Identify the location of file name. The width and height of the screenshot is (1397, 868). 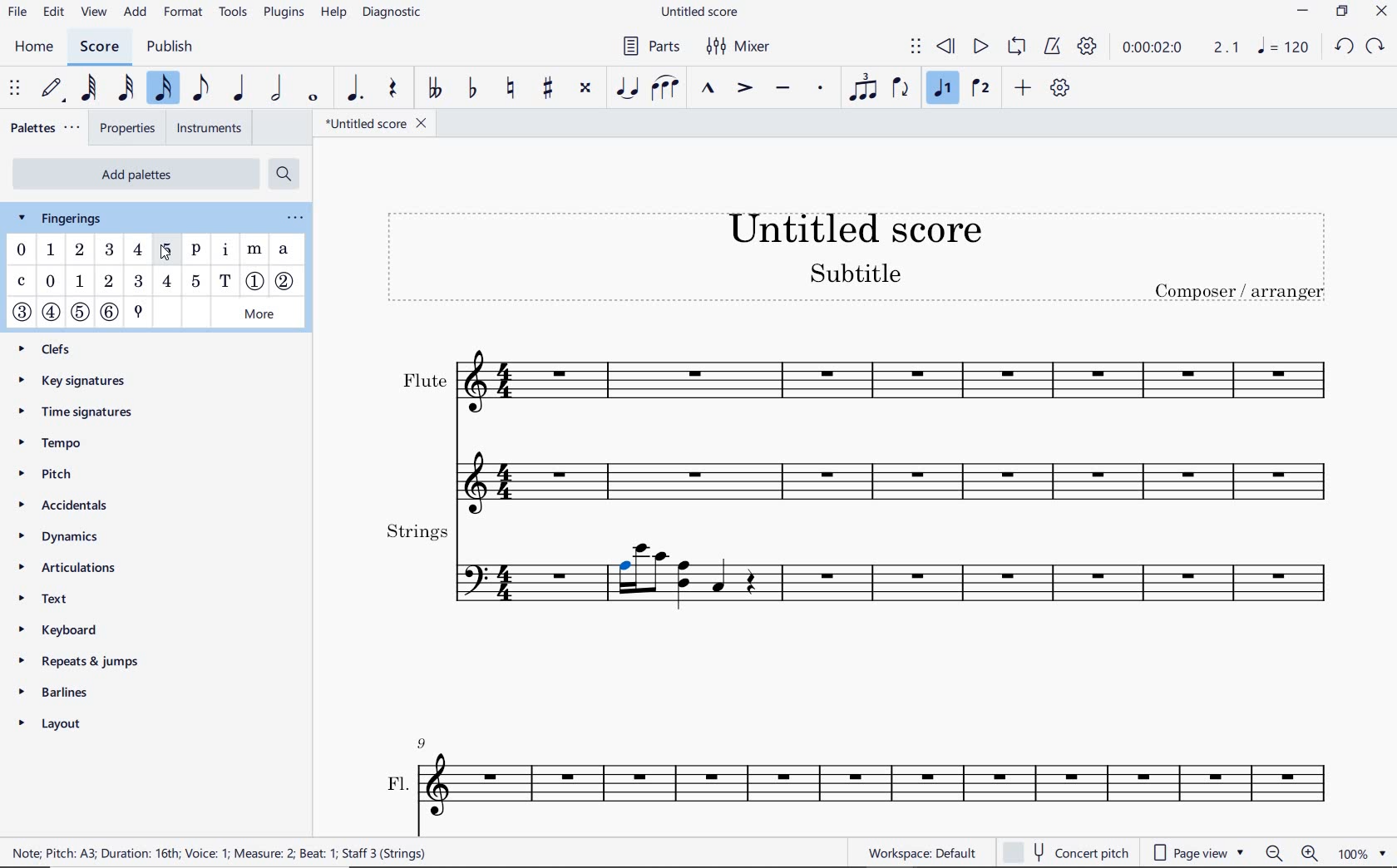
(375, 124).